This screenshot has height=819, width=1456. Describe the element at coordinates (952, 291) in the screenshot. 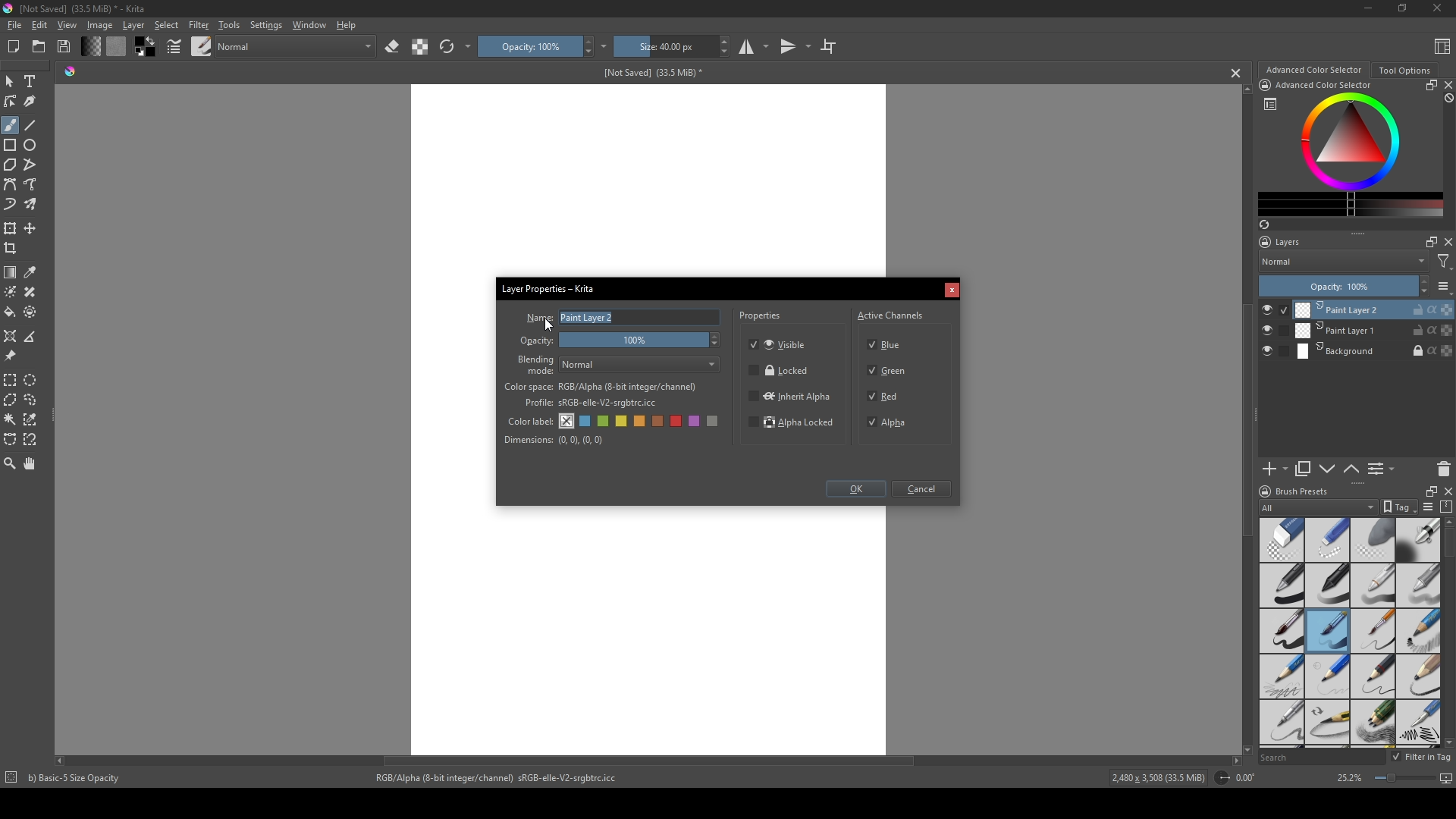

I see `Cancel` at that location.